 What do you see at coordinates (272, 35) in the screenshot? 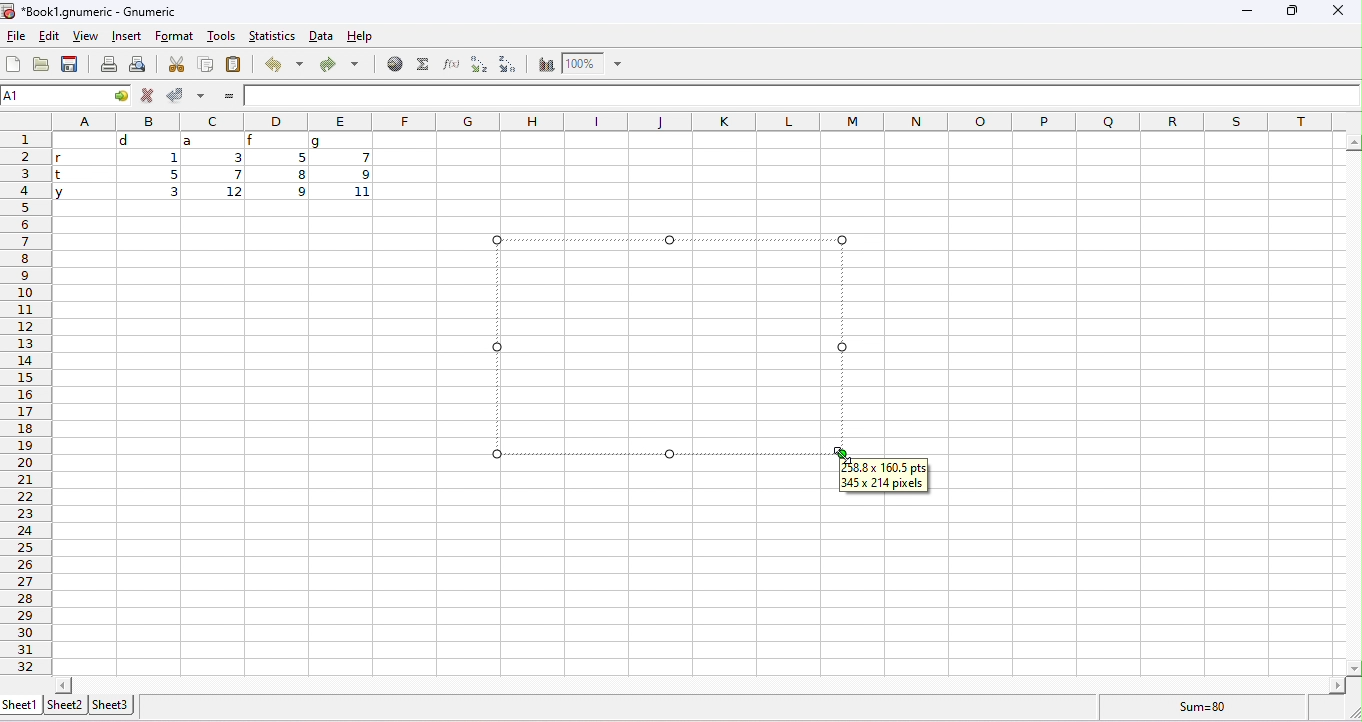
I see `statistics` at bounding box center [272, 35].